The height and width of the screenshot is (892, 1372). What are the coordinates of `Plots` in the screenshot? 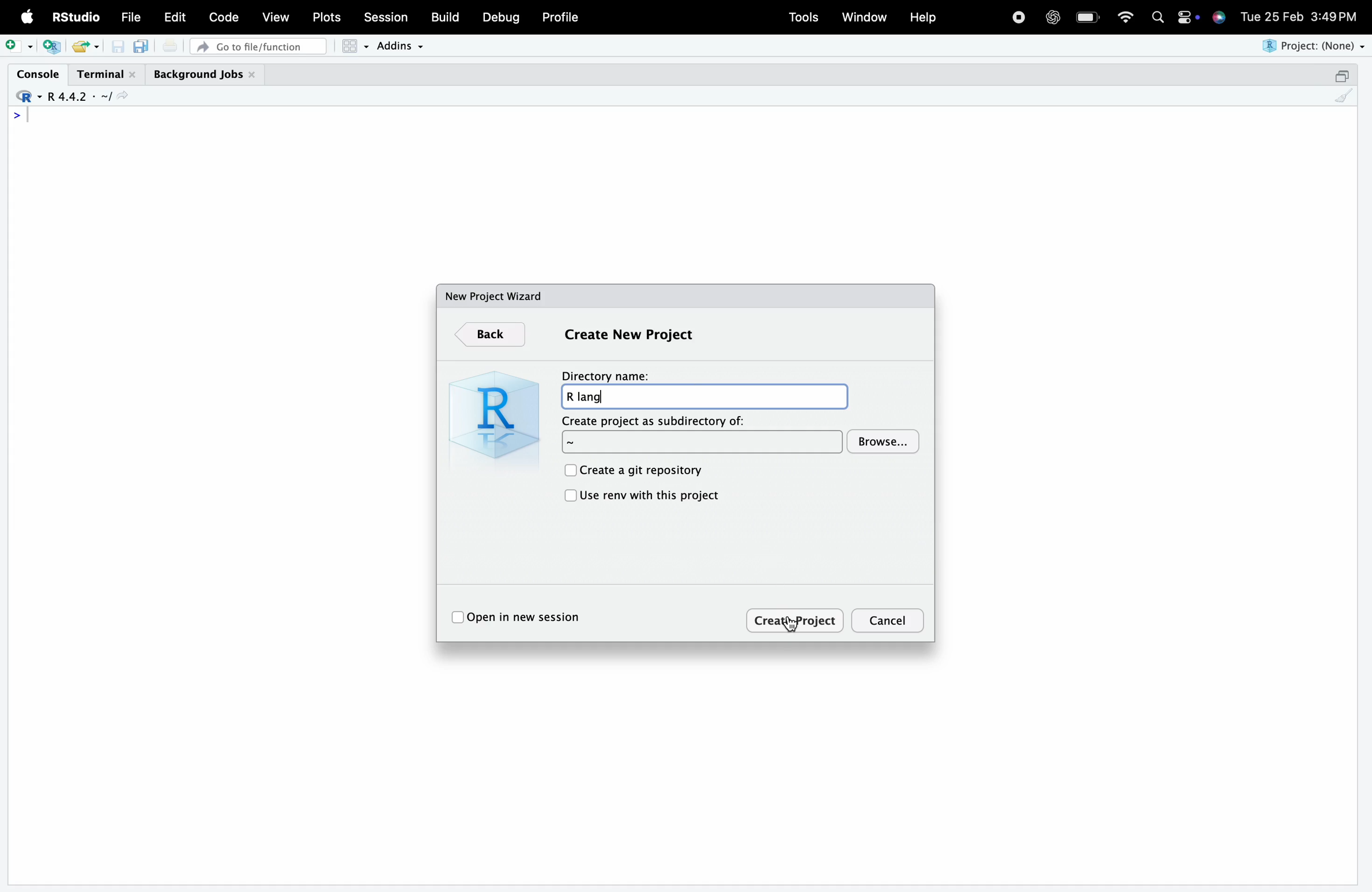 It's located at (325, 17).